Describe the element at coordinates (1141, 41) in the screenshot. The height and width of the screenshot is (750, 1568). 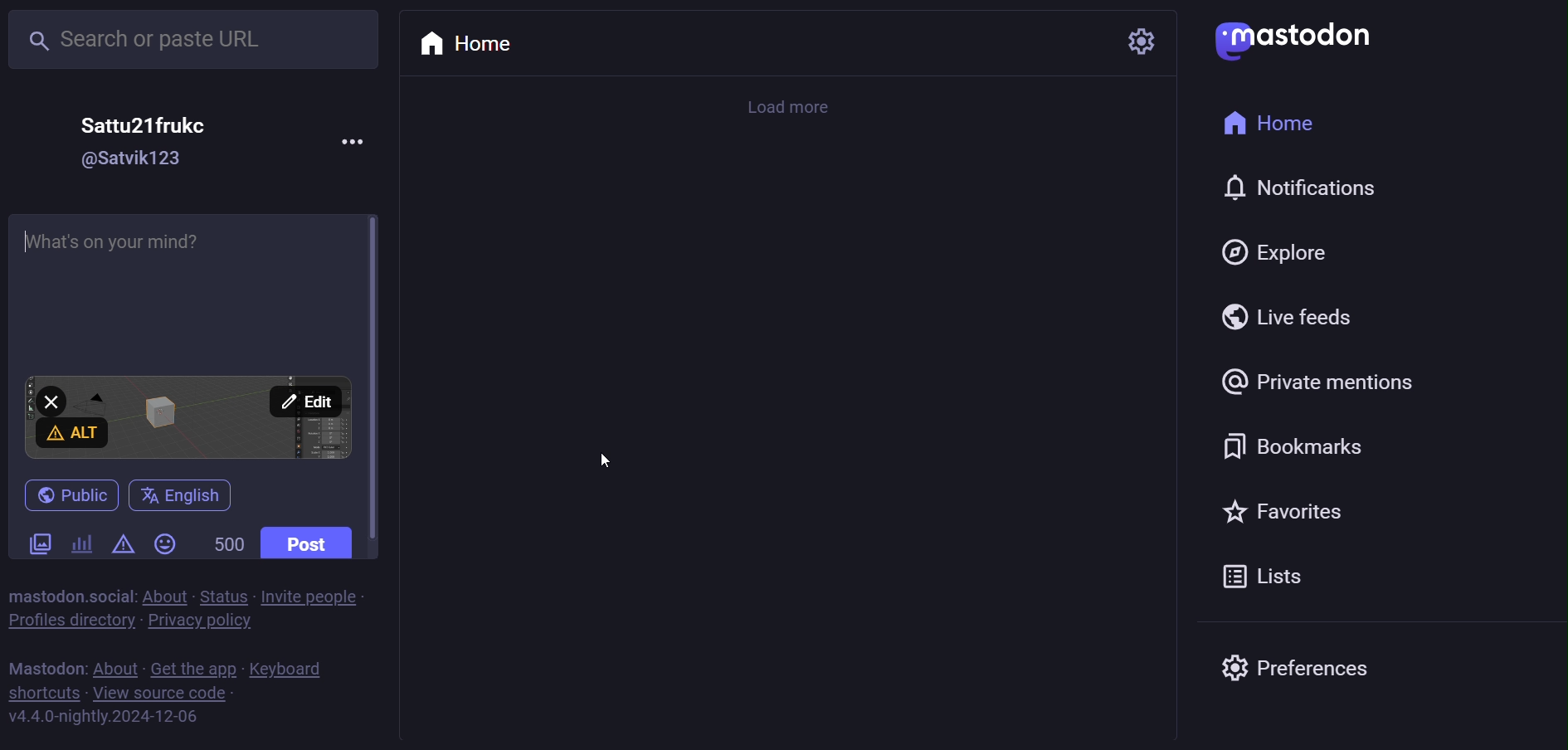
I see `setting` at that location.